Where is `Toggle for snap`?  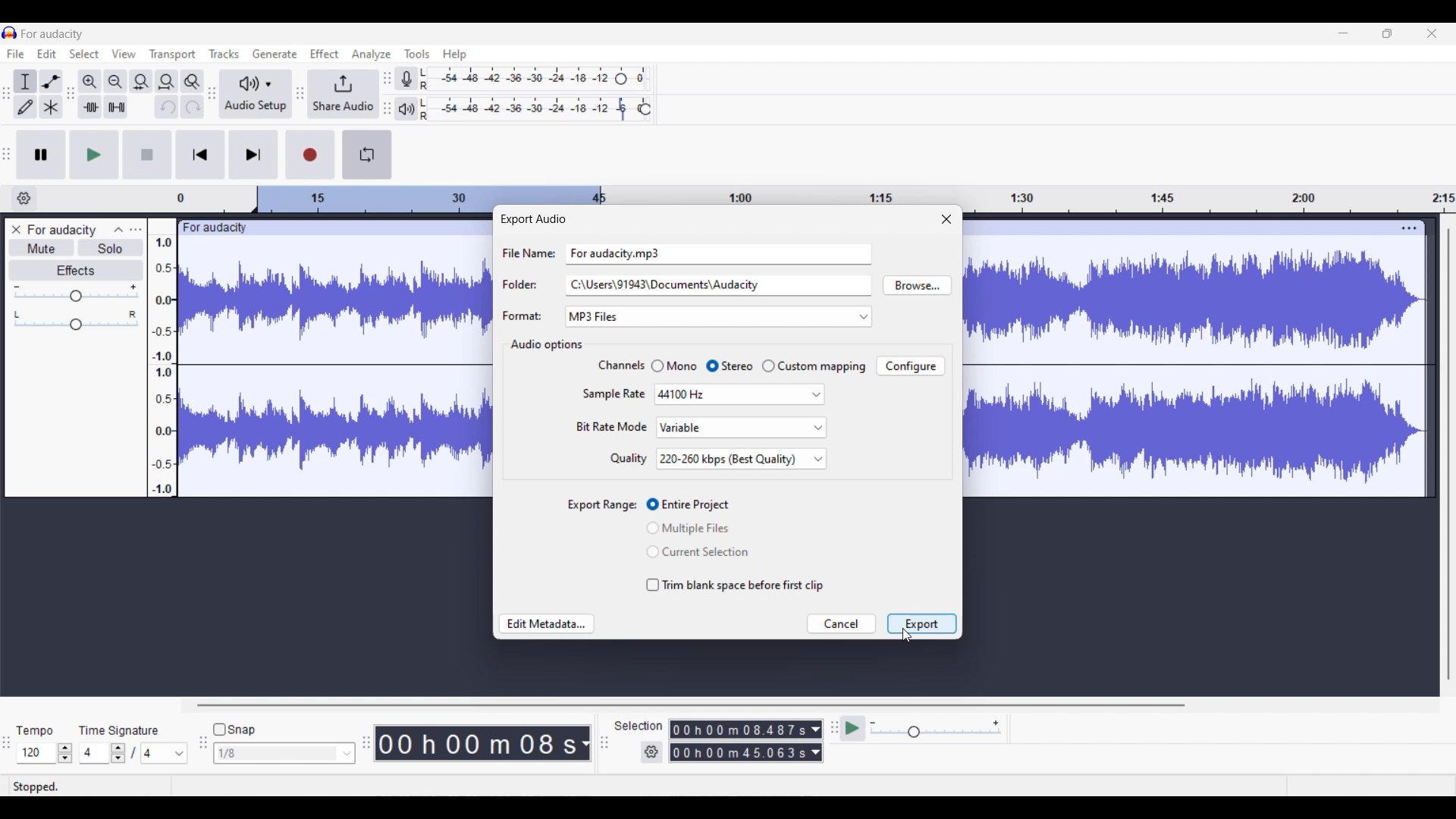
Toggle for snap is located at coordinates (234, 730).